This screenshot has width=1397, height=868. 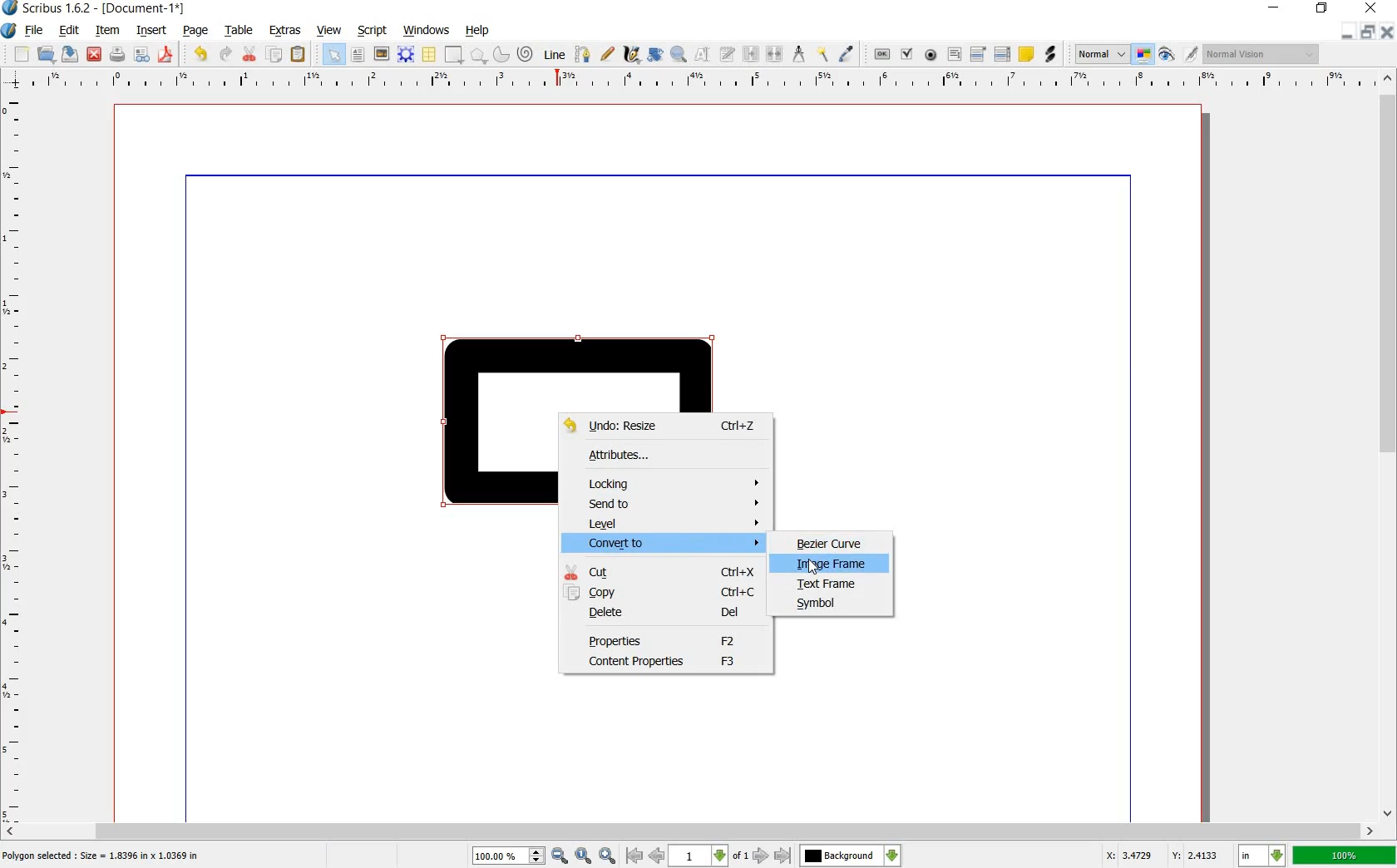 What do you see at coordinates (8, 31) in the screenshot?
I see `Application logo` at bounding box center [8, 31].